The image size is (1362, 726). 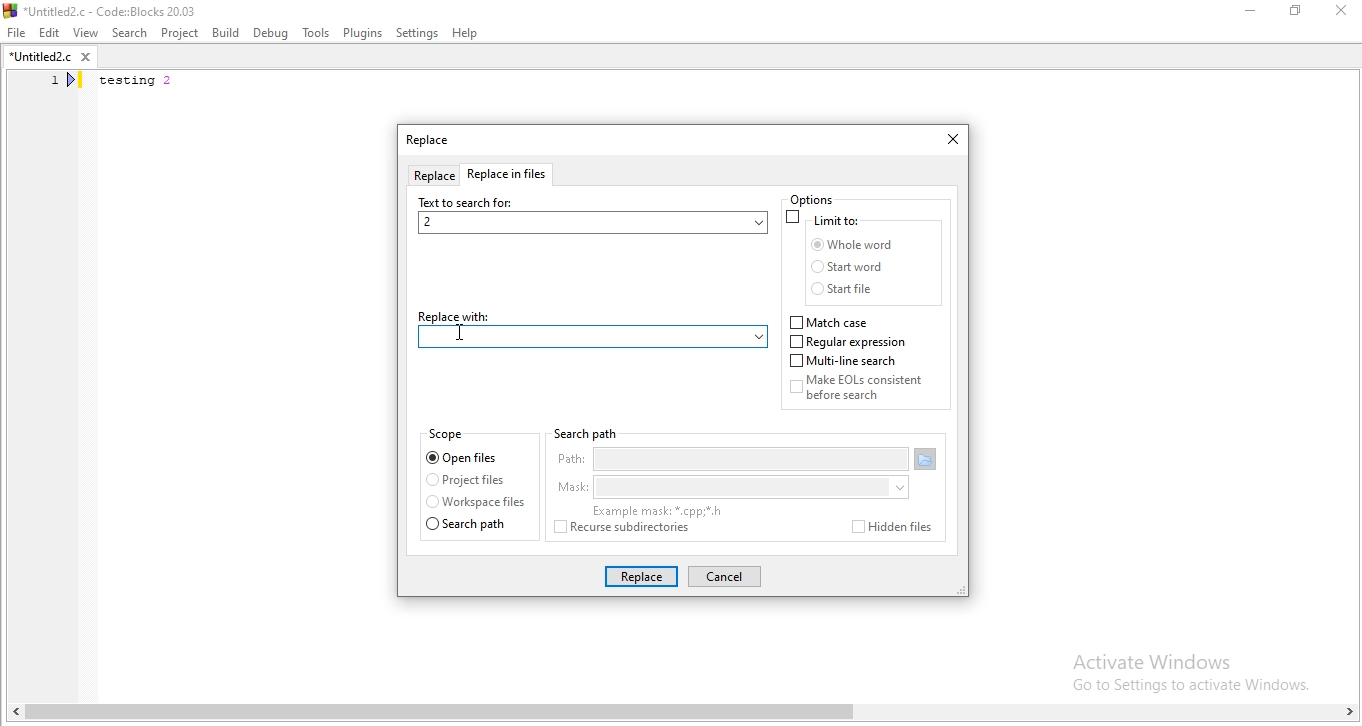 What do you see at coordinates (831, 322) in the screenshot?
I see `match case` at bounding box center [831, 322].